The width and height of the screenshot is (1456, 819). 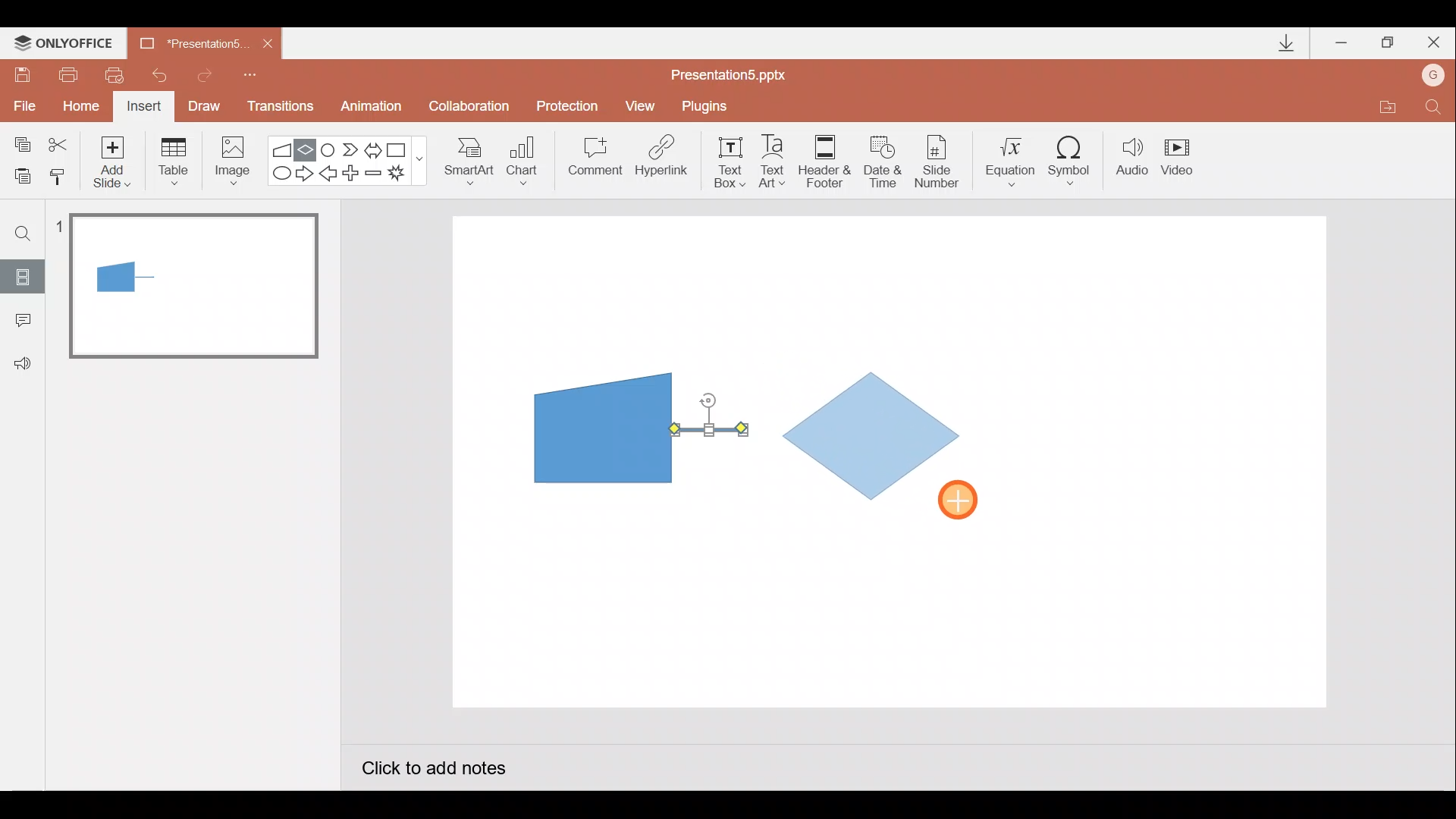 What do you see at coordinates (24, 233) in the screenshot?
I see `Find` at bounding box center [24, 233].